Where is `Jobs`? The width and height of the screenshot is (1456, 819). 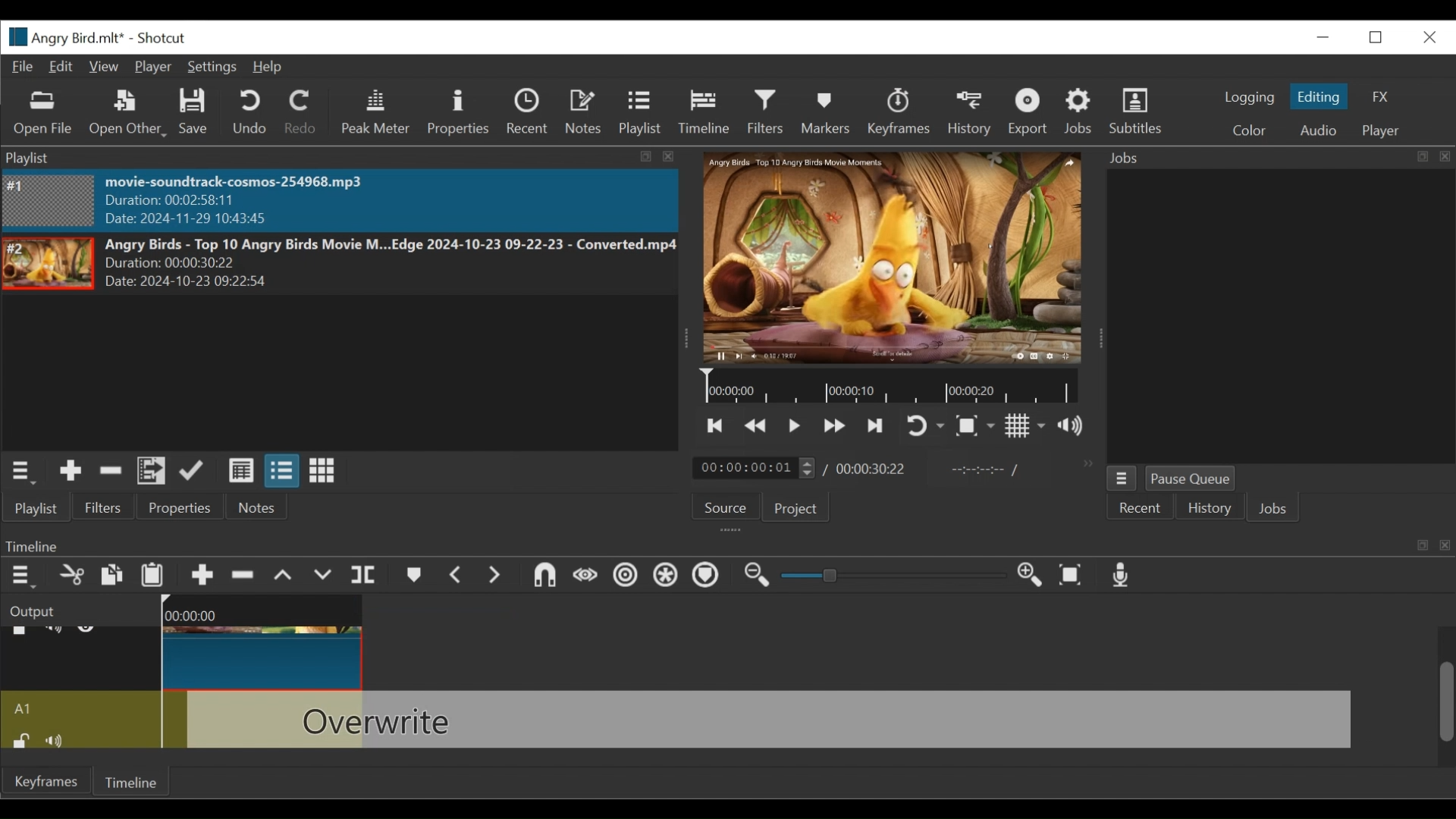
Jobs is located at coordinates (1080, 114).